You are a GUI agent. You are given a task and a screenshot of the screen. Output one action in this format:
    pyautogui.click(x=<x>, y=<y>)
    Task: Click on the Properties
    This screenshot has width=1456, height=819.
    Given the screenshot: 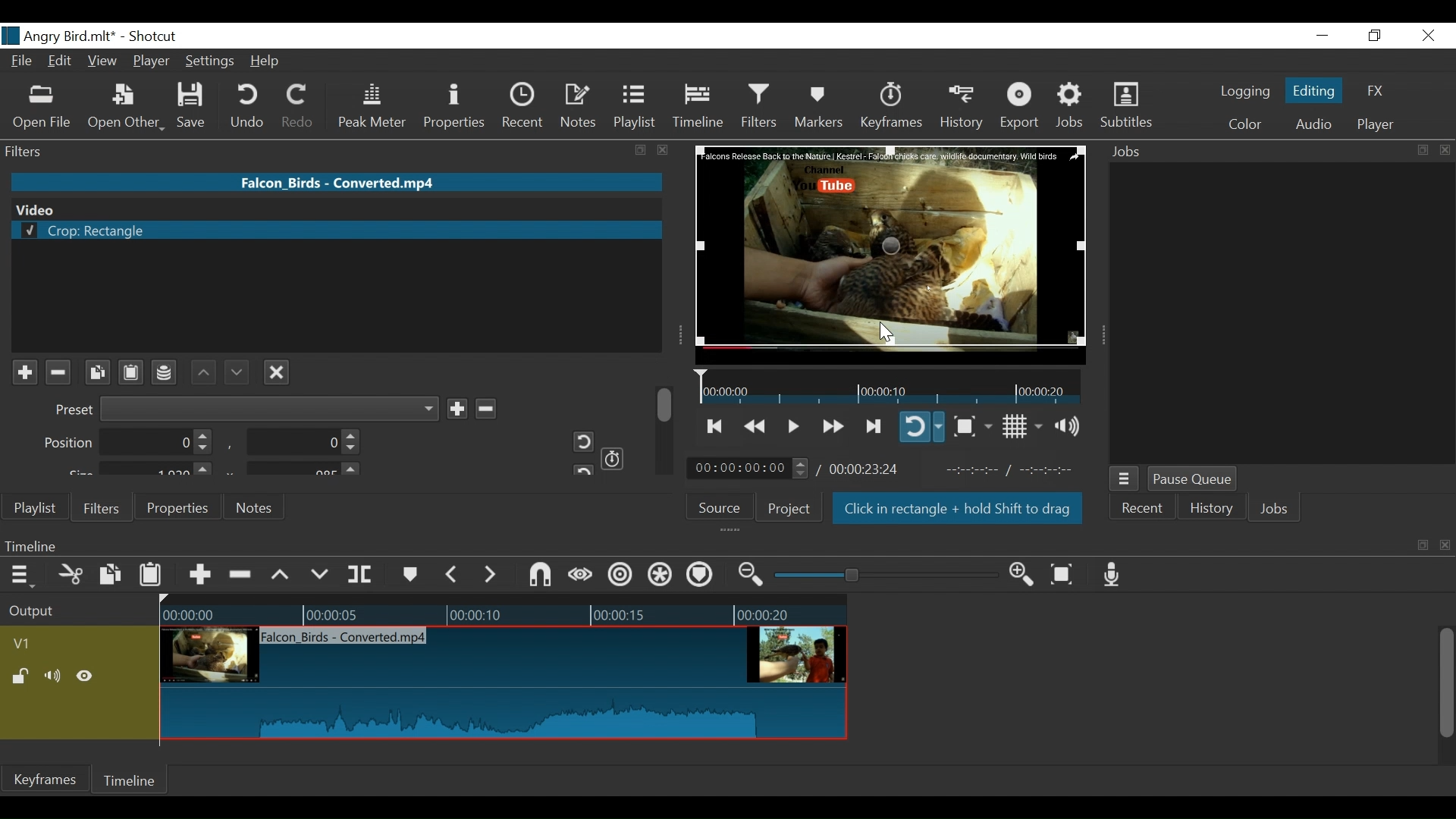 What is the action you would take?
    pyautogui.click(x=457, y=108)
    